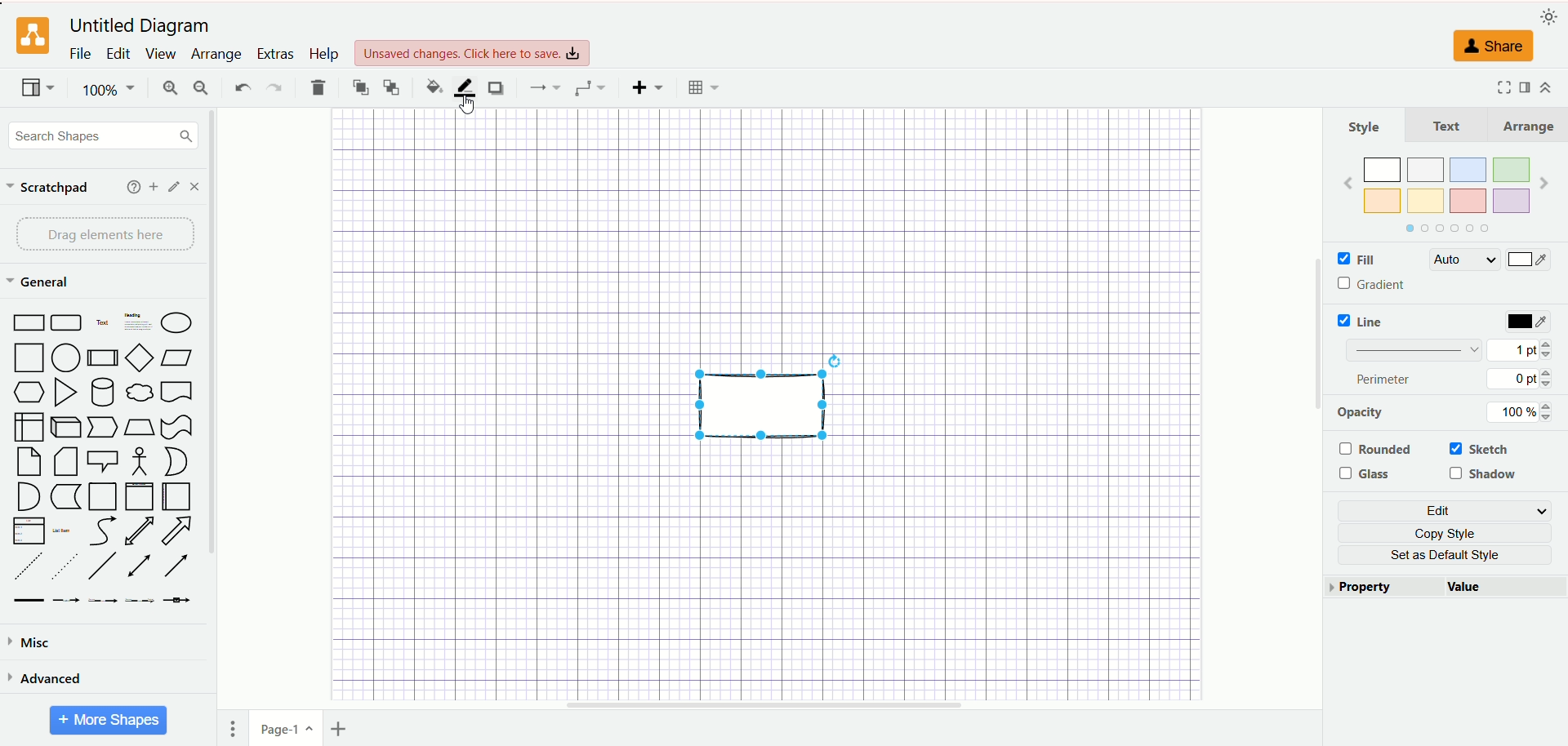 The image size is (1568, 746). I want to click on text, so click(1449, 125).